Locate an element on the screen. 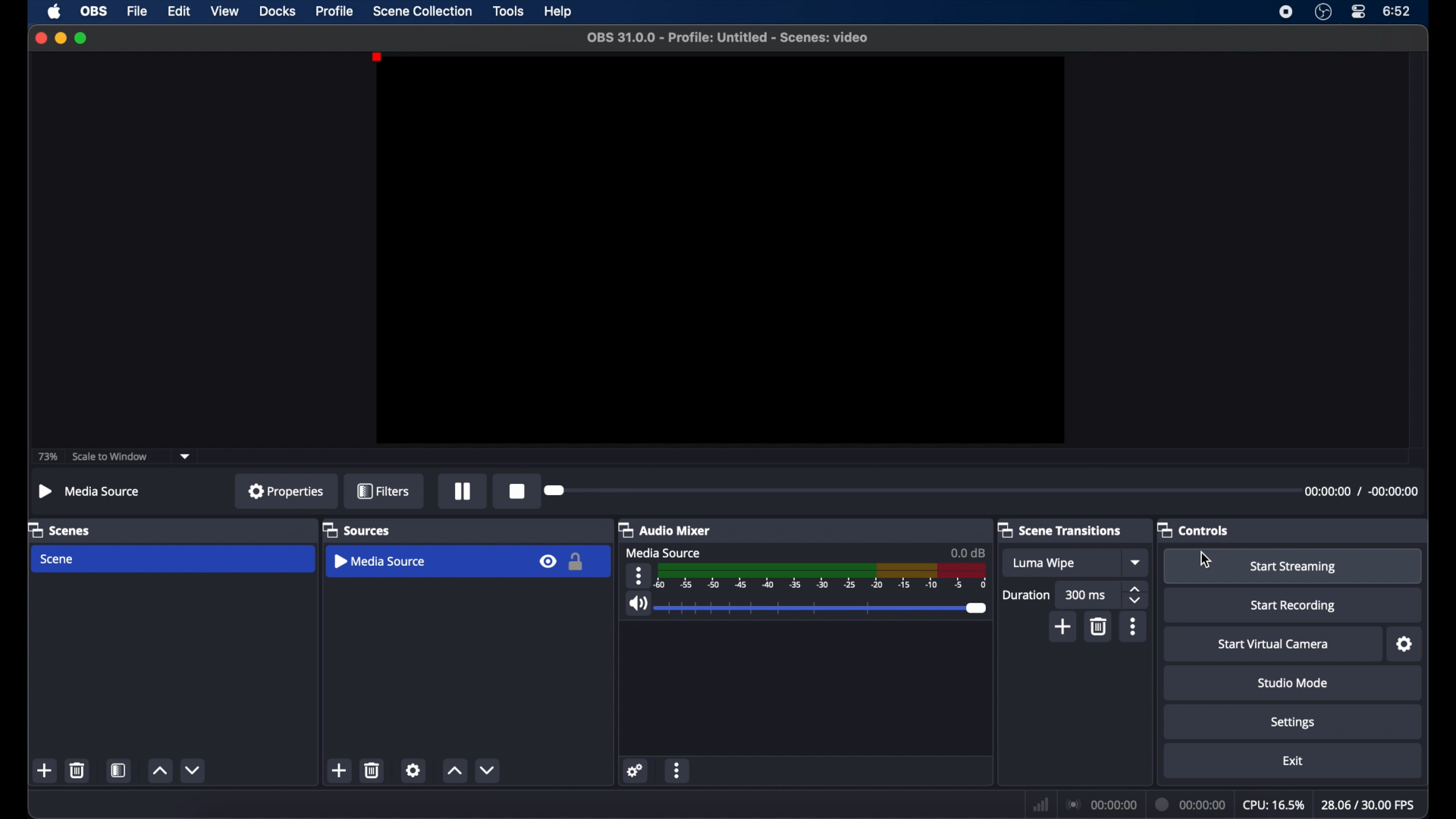 The image size is (1456, 819). luma is located at coordinates (1045, 563).